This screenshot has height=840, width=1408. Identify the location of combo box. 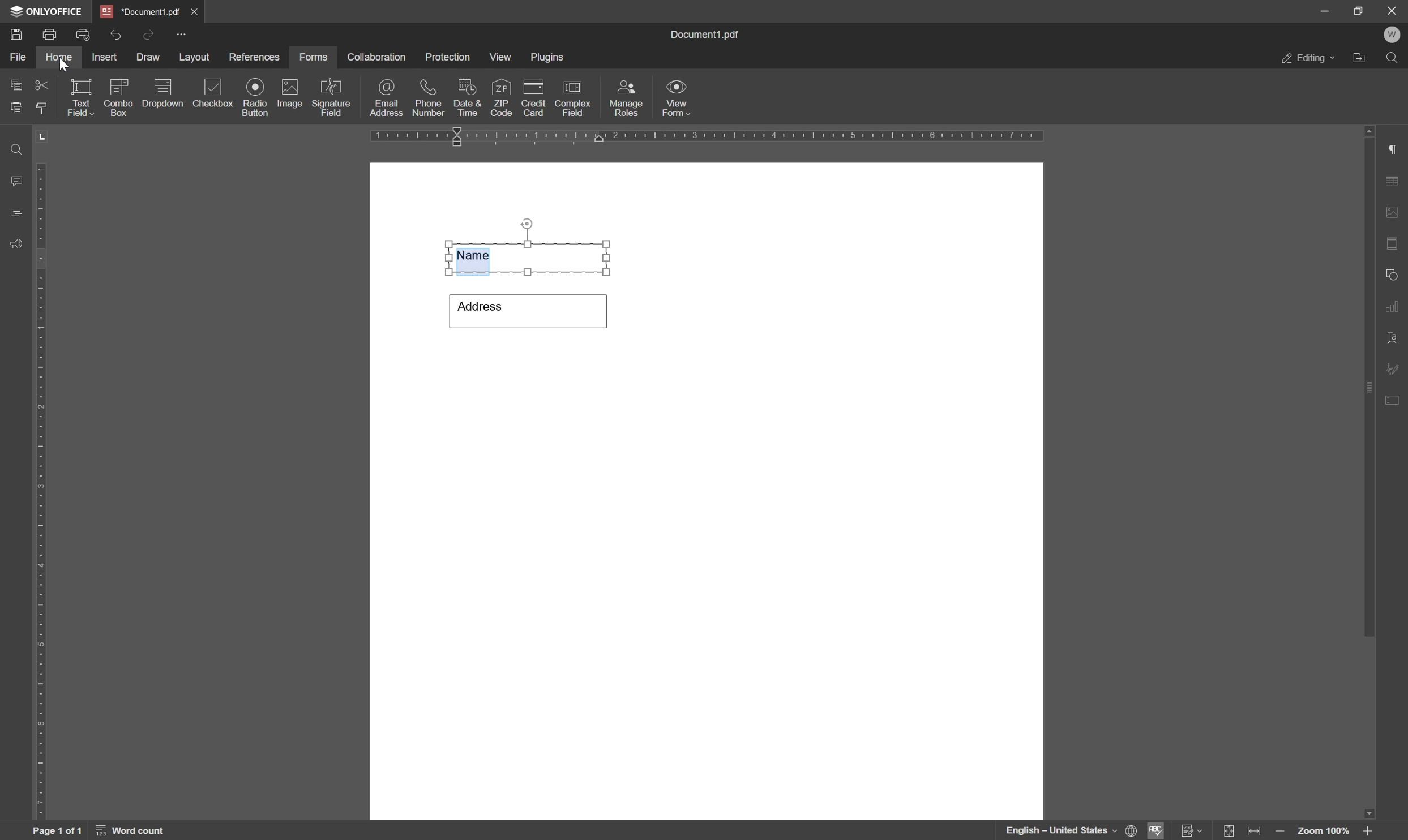
(119, 96).